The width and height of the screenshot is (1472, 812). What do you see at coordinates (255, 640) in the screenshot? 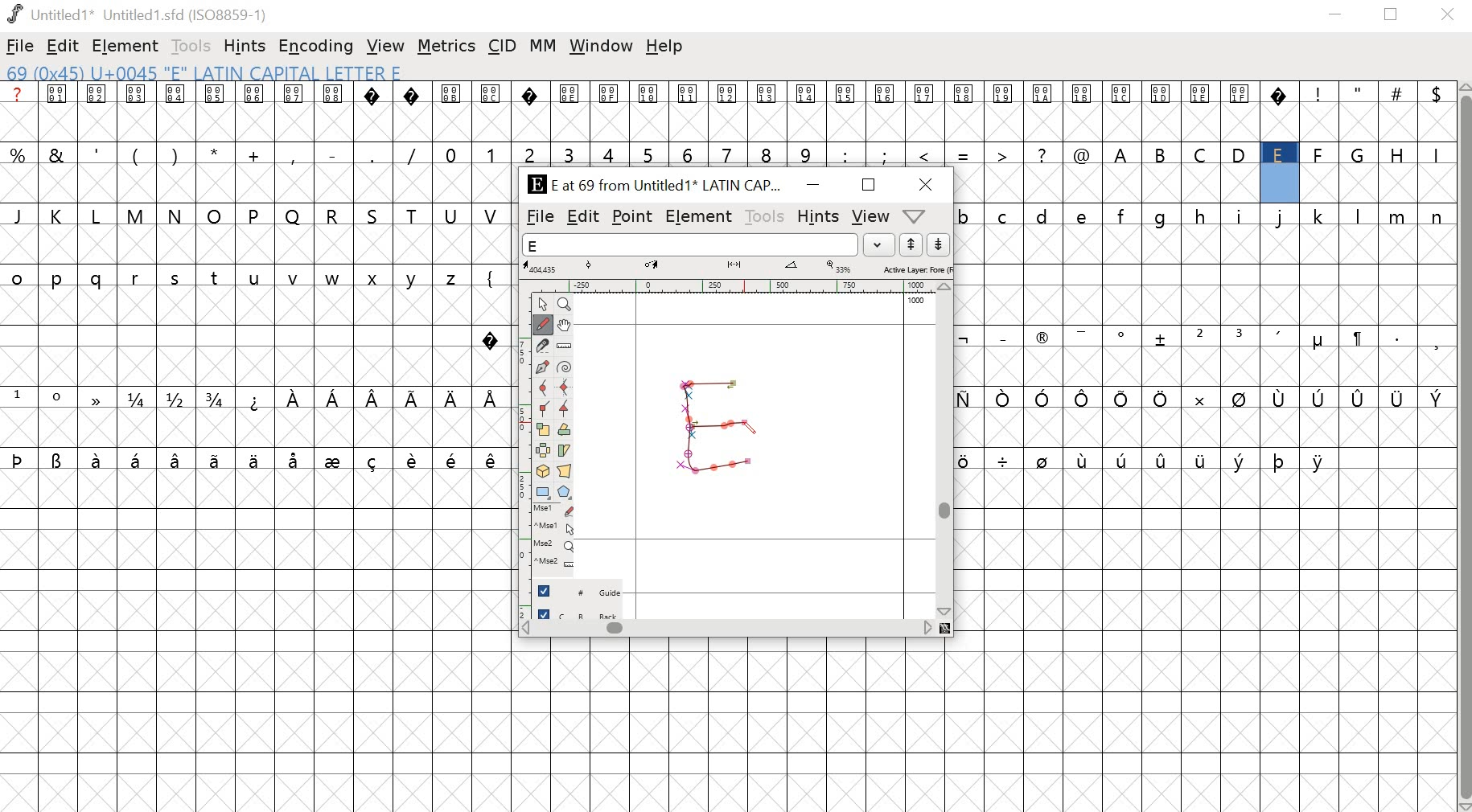
I see `empty cells` at bounding box center [255, 640].